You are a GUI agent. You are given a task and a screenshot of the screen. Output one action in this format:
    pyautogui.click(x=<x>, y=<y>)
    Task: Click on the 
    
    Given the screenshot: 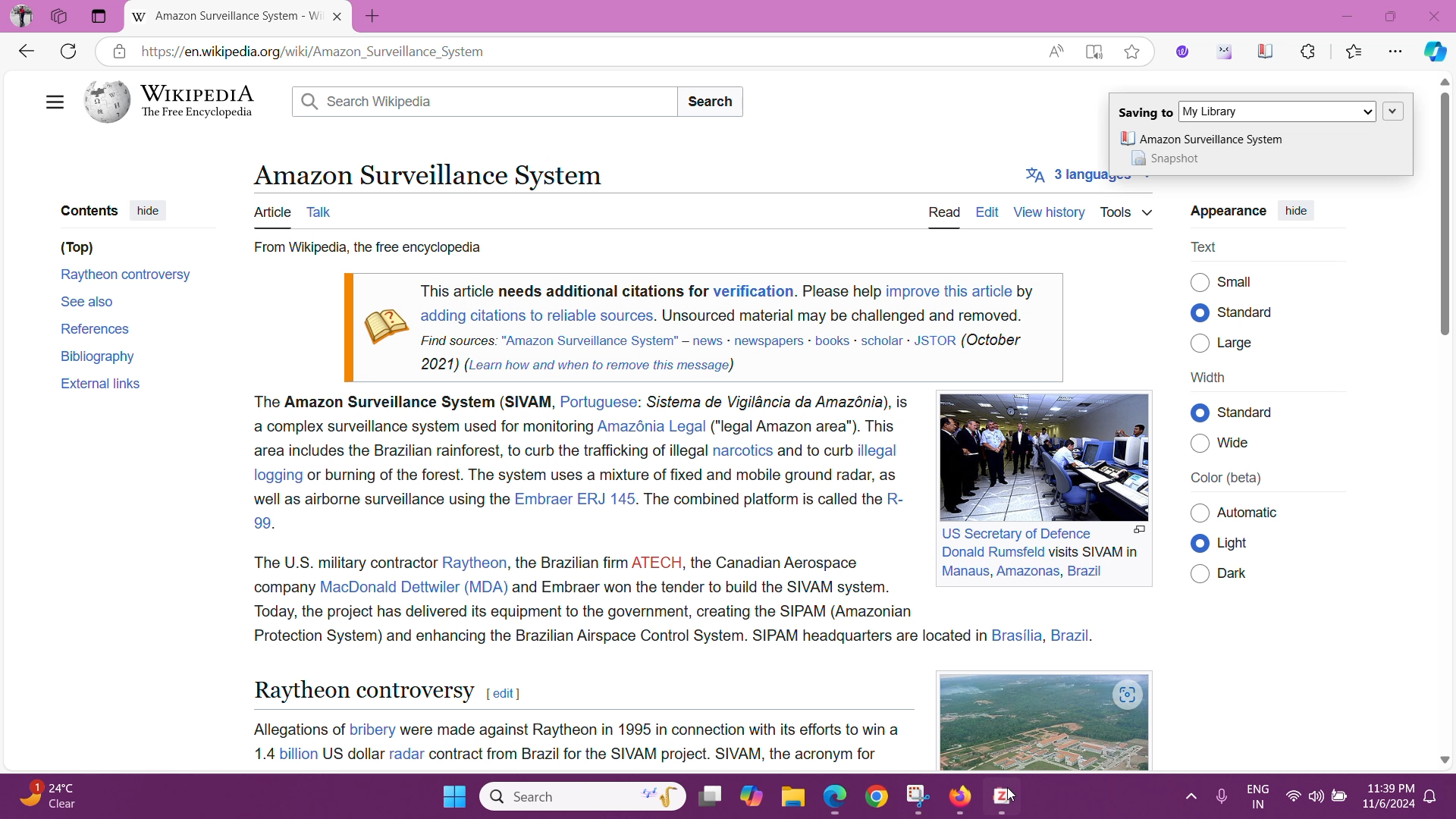 What is the action you would take?
    pyautogui.click(x=61, y=17)
    